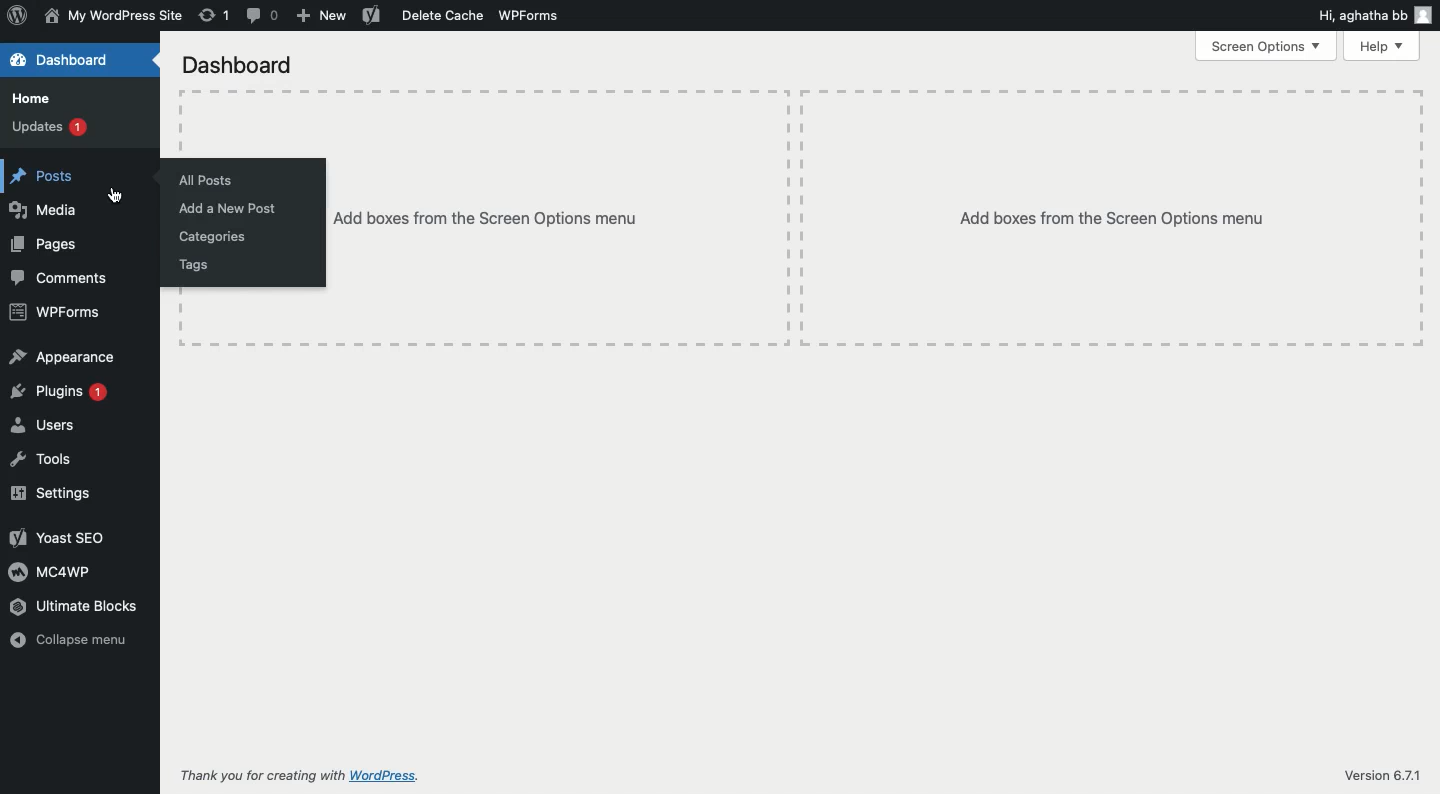 Image resolution: width=1440 pixels, height=794 pixels. Describe the element at coordinates (1373, 13) in the screenshot. I see `Hi user` at that location.